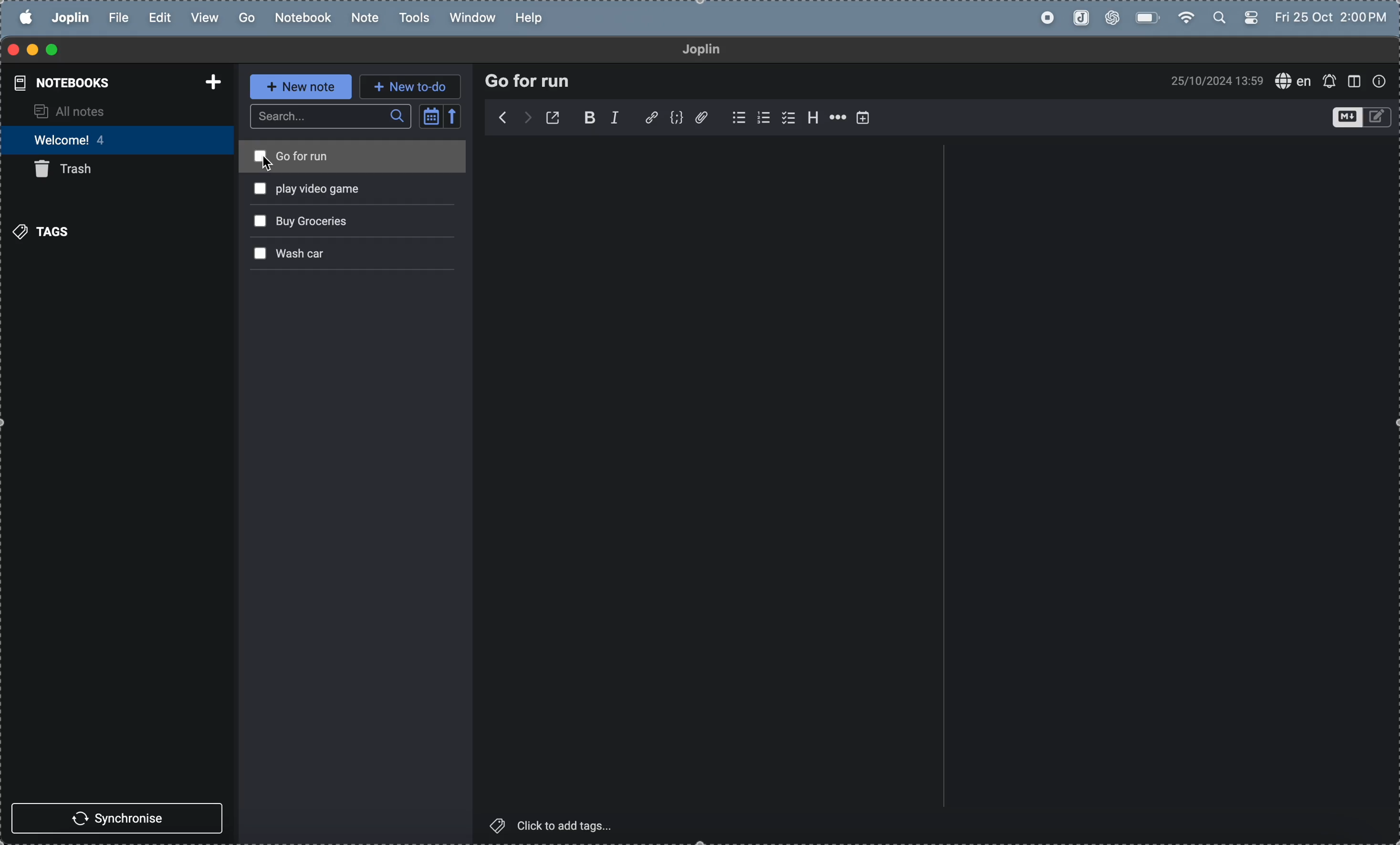 Image resolution: width=1400 pixels, height=845 pixels. What do you see at coordinates (299, 89) in the screenshot?
I see `new note` at bounding box center [299, 89].